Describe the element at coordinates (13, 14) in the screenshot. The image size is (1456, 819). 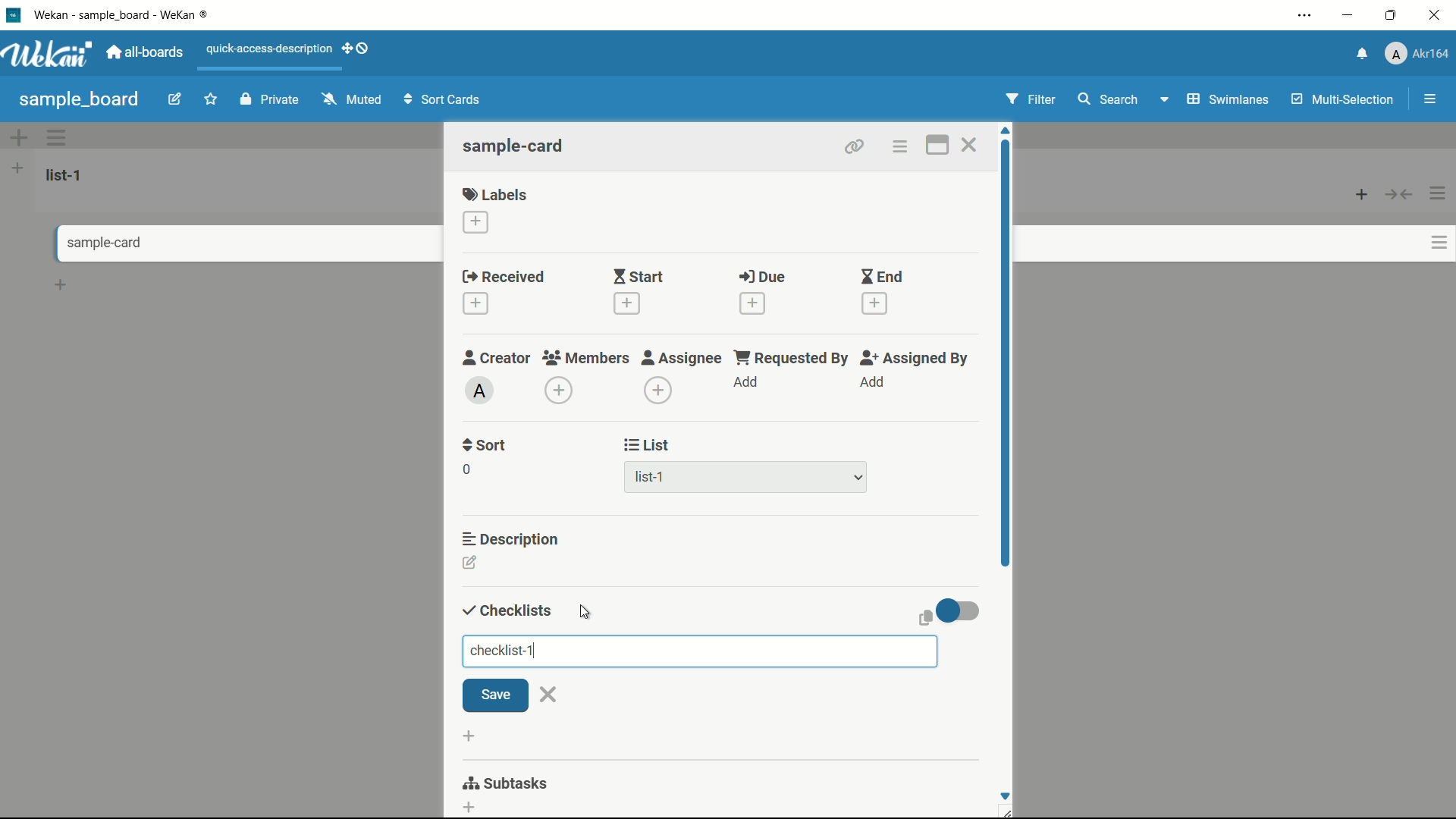
I see `app icon` at that location.